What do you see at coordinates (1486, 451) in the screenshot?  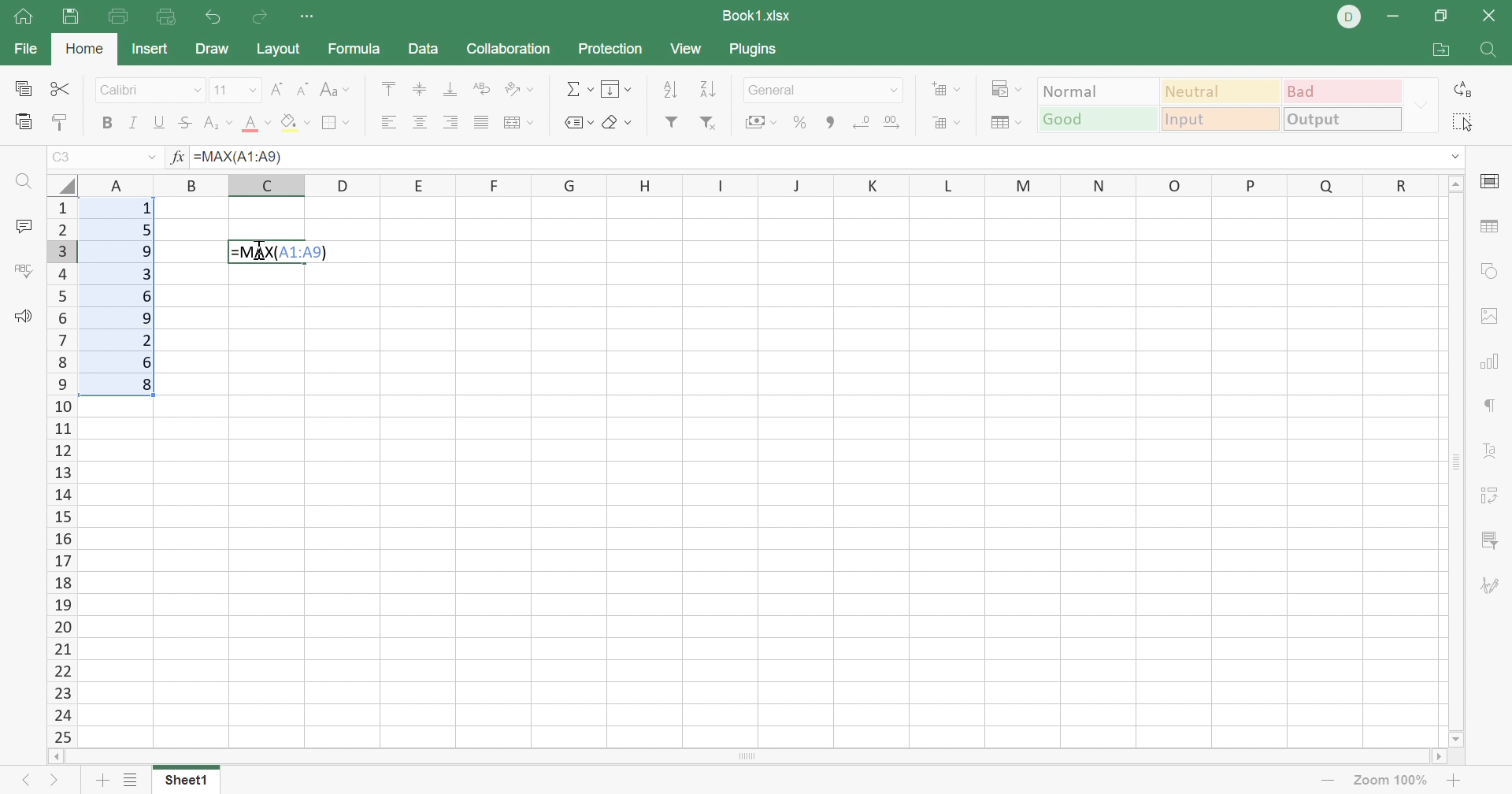 I see `Text  Art settings` at bounding box center [1486, 451].